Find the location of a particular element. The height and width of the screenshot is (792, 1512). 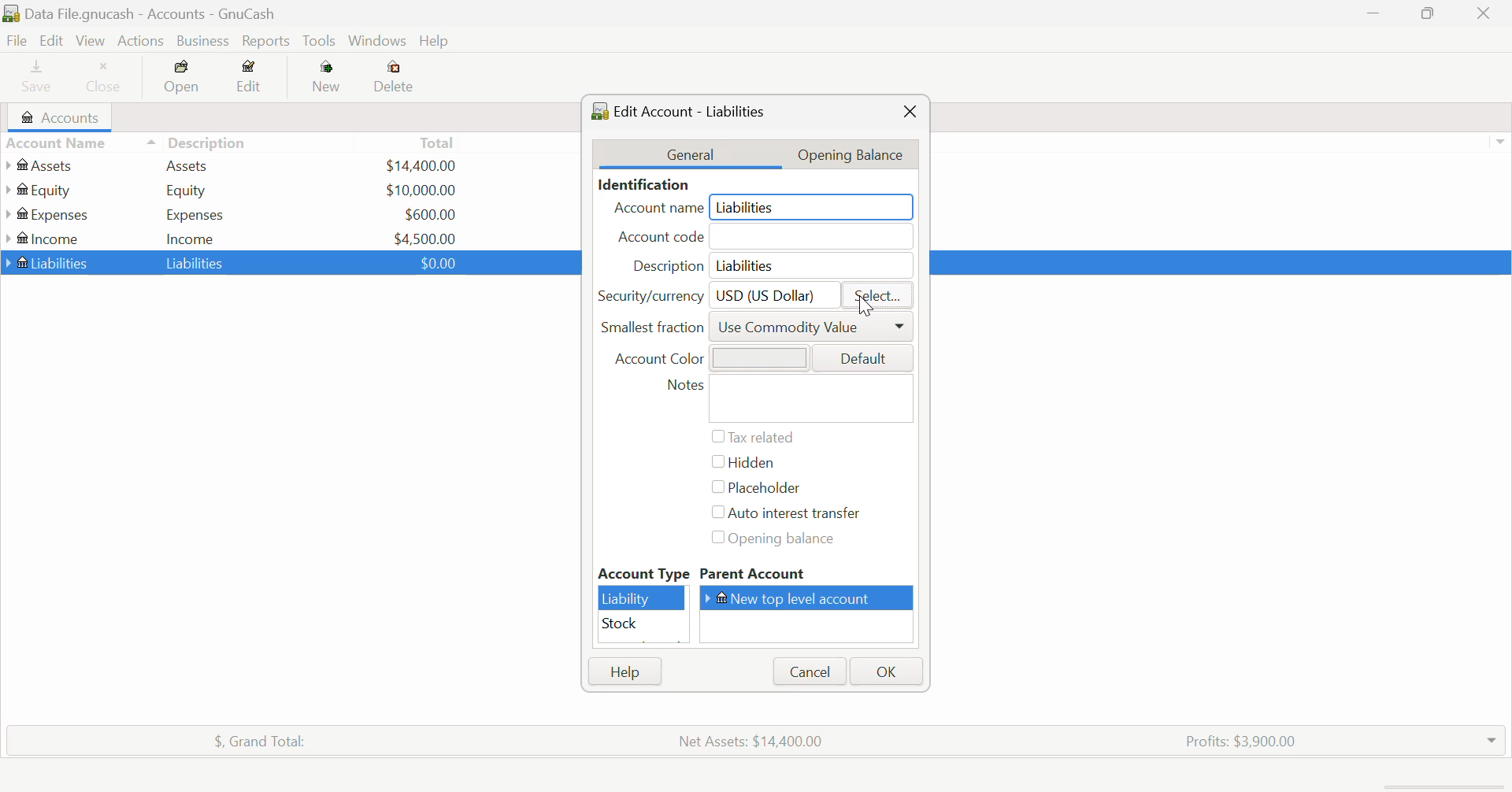

Tax related checkbox is located at coordinates (753, 437).